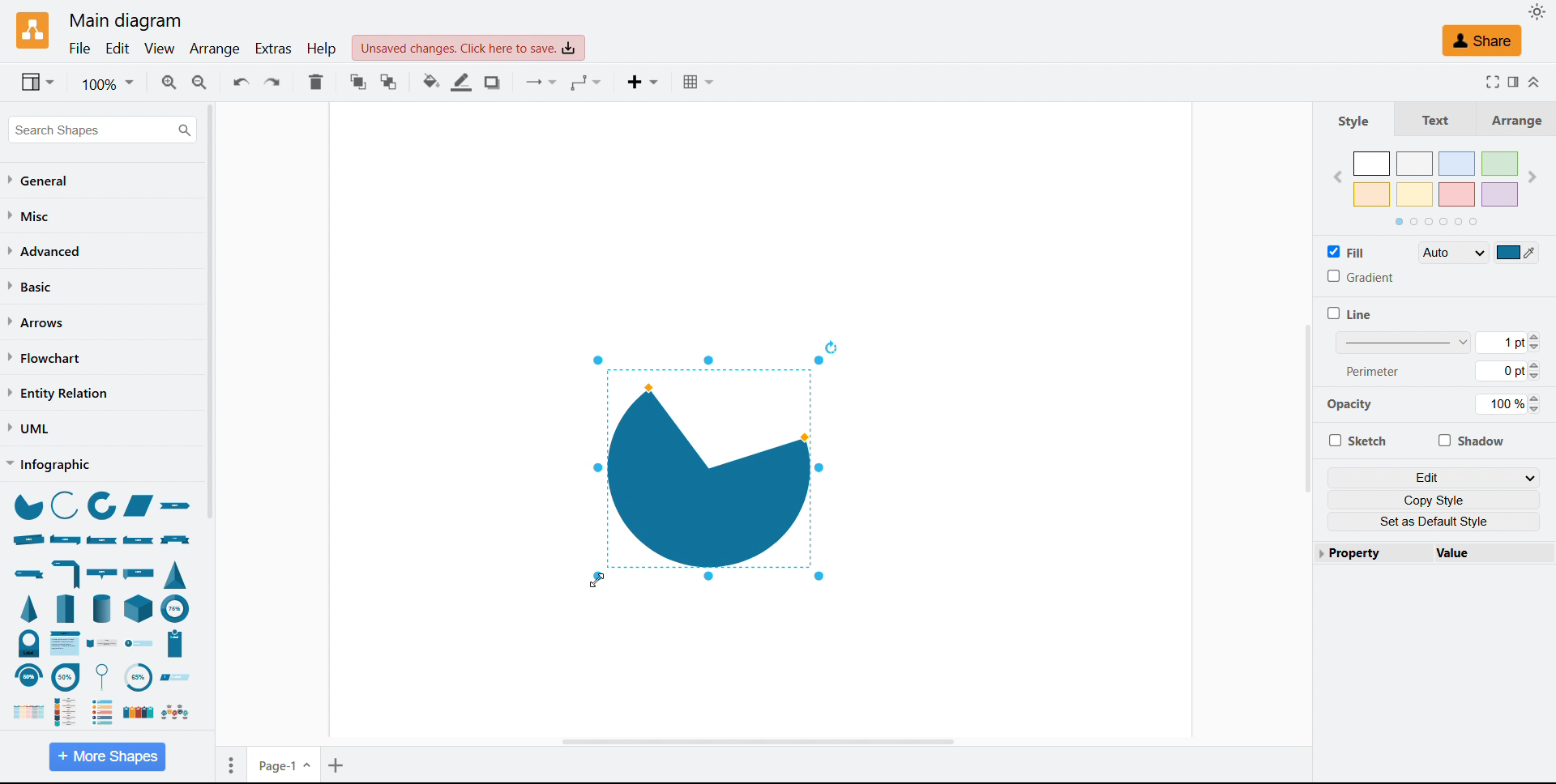 The width and height of the screenshot is (1556, 784). I want to click on pyramid step, so click(67, 607).